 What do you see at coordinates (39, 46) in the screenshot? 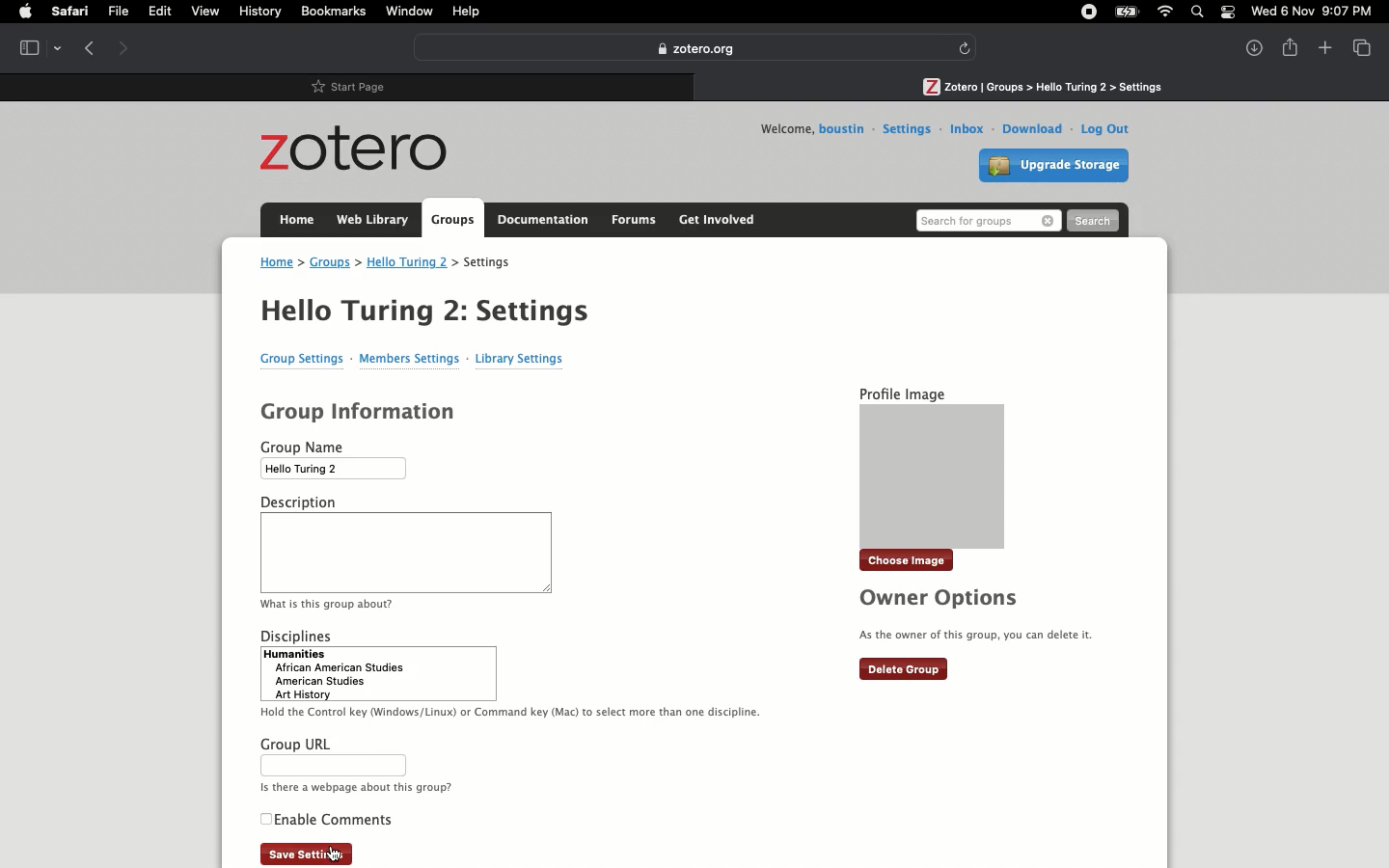
I see `Tab view` at bounding box center [39, 46].